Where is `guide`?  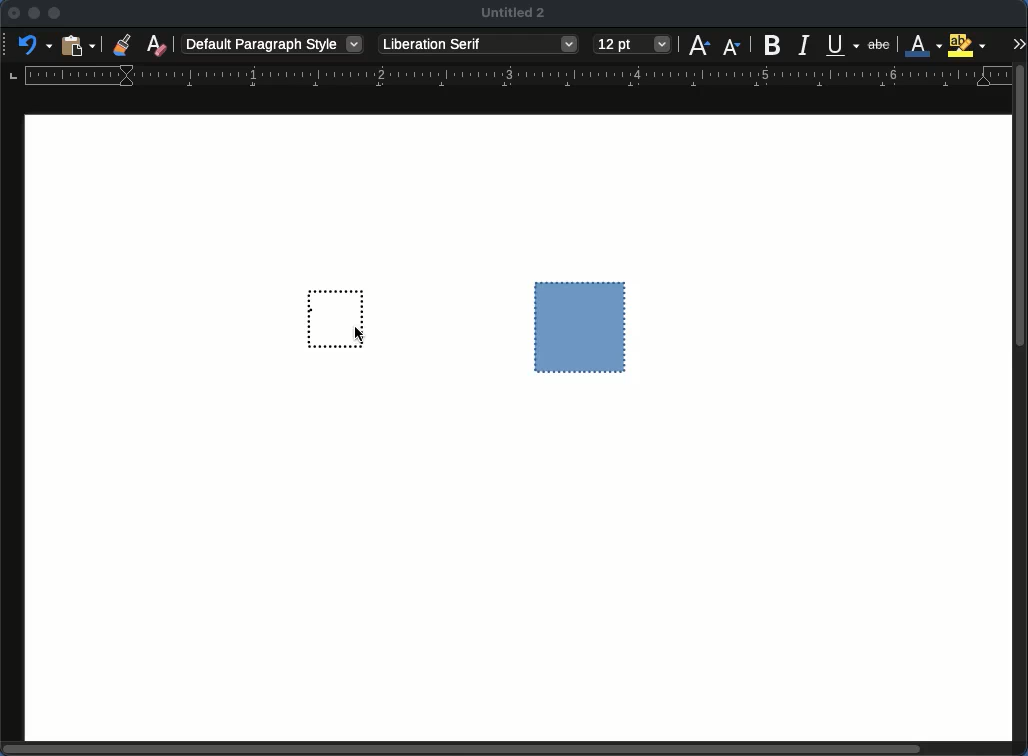
guide is located at coordinates (518, 75).